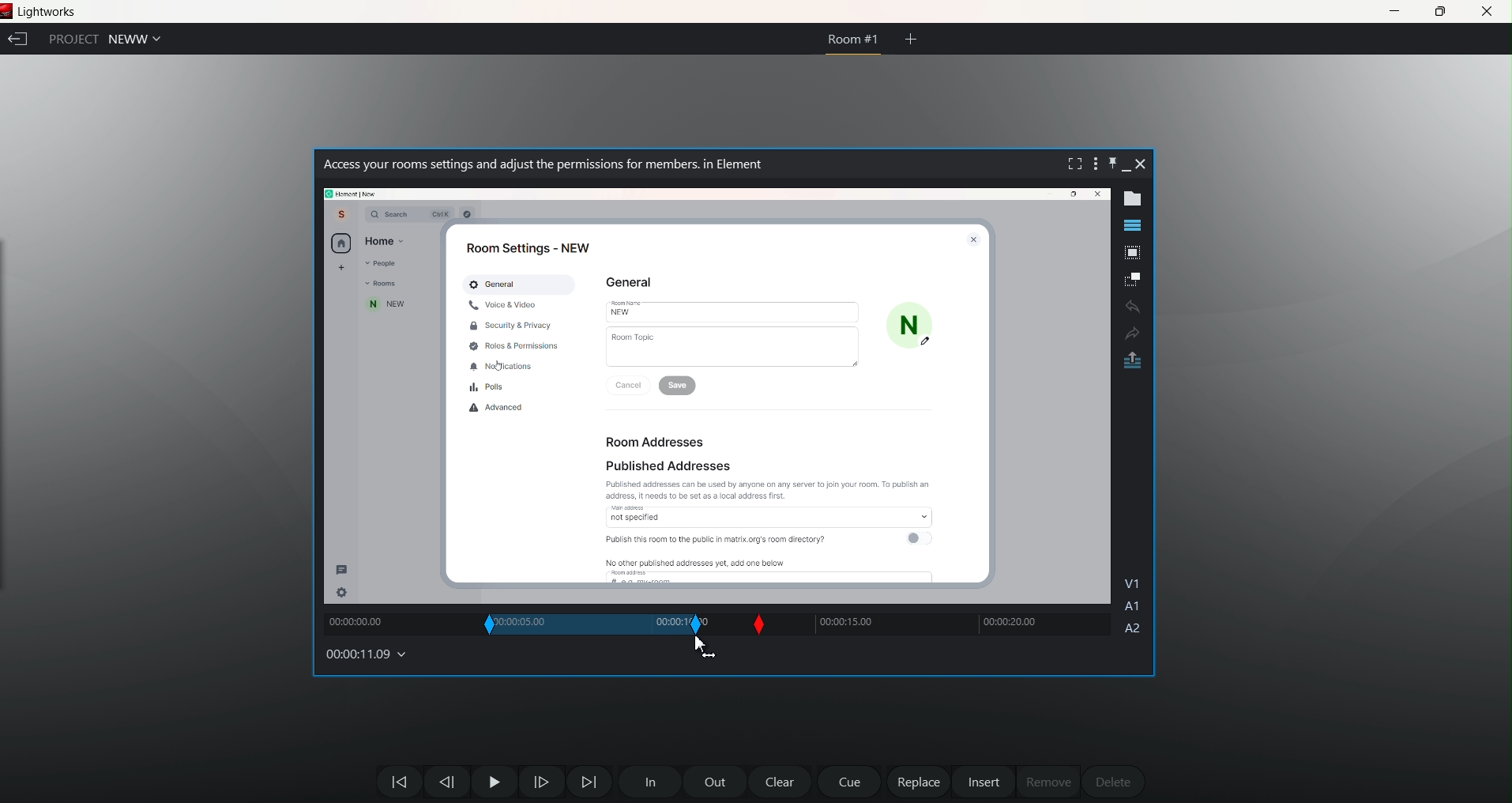 Image resolution: width=1512 pixels, height=803 pixels. Describe the element at coordinates (1114, 168) in the screenshot. I see `pin this bar` at that location.